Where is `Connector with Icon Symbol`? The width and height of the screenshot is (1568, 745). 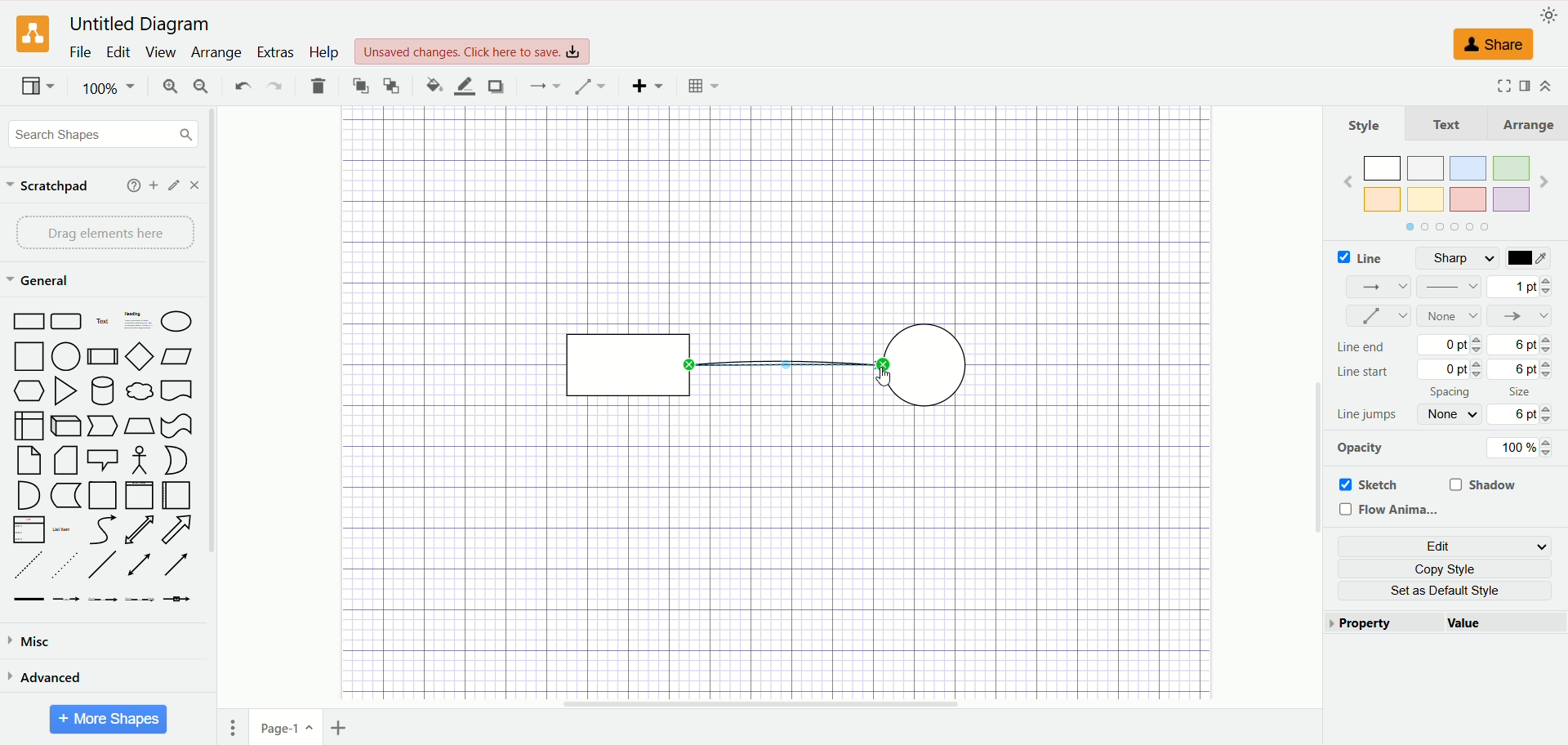 Connector with Icon Symbol is located at coordinates (180, 602).